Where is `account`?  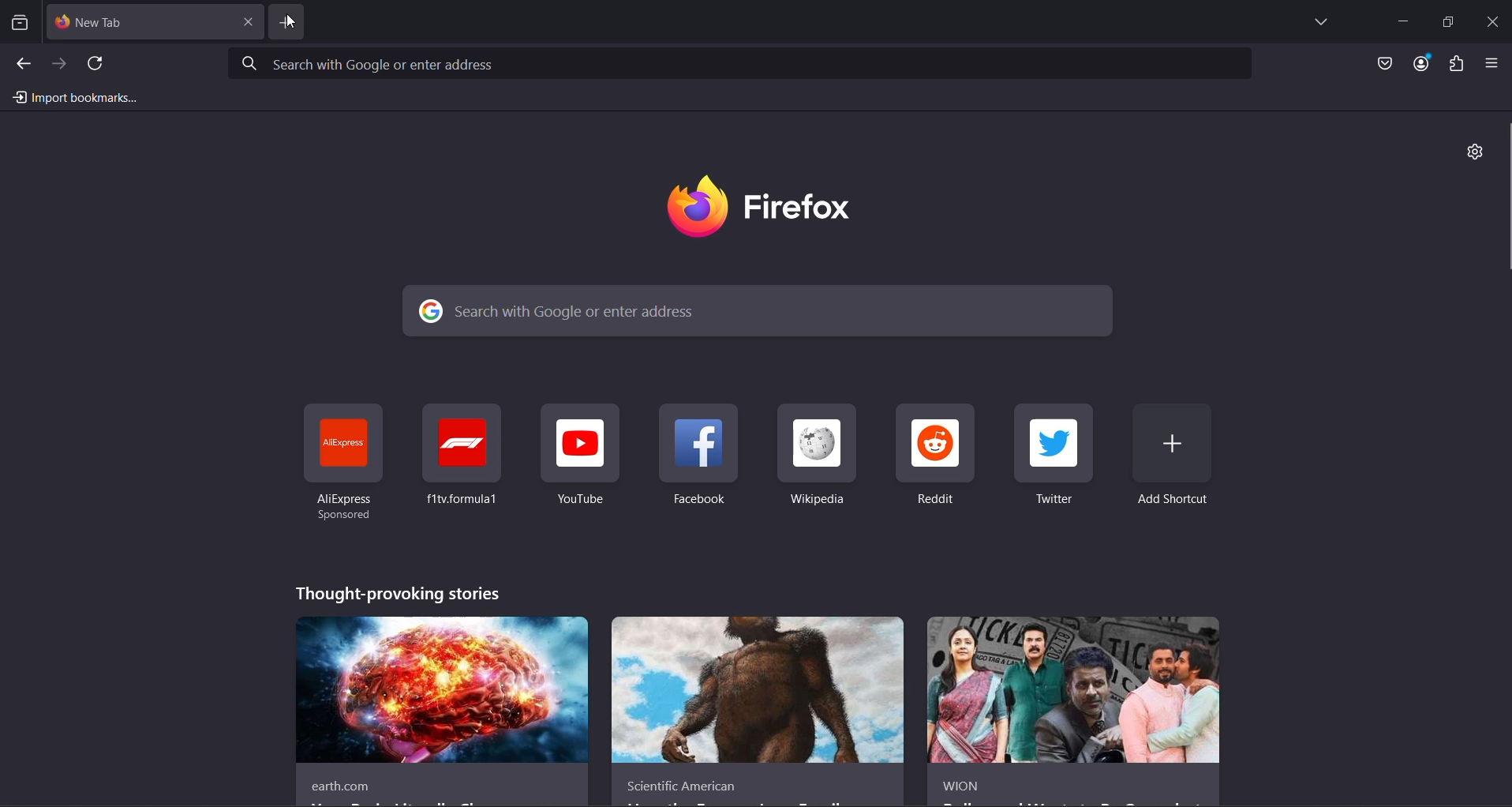 account is located at coordinates (1421, 65).